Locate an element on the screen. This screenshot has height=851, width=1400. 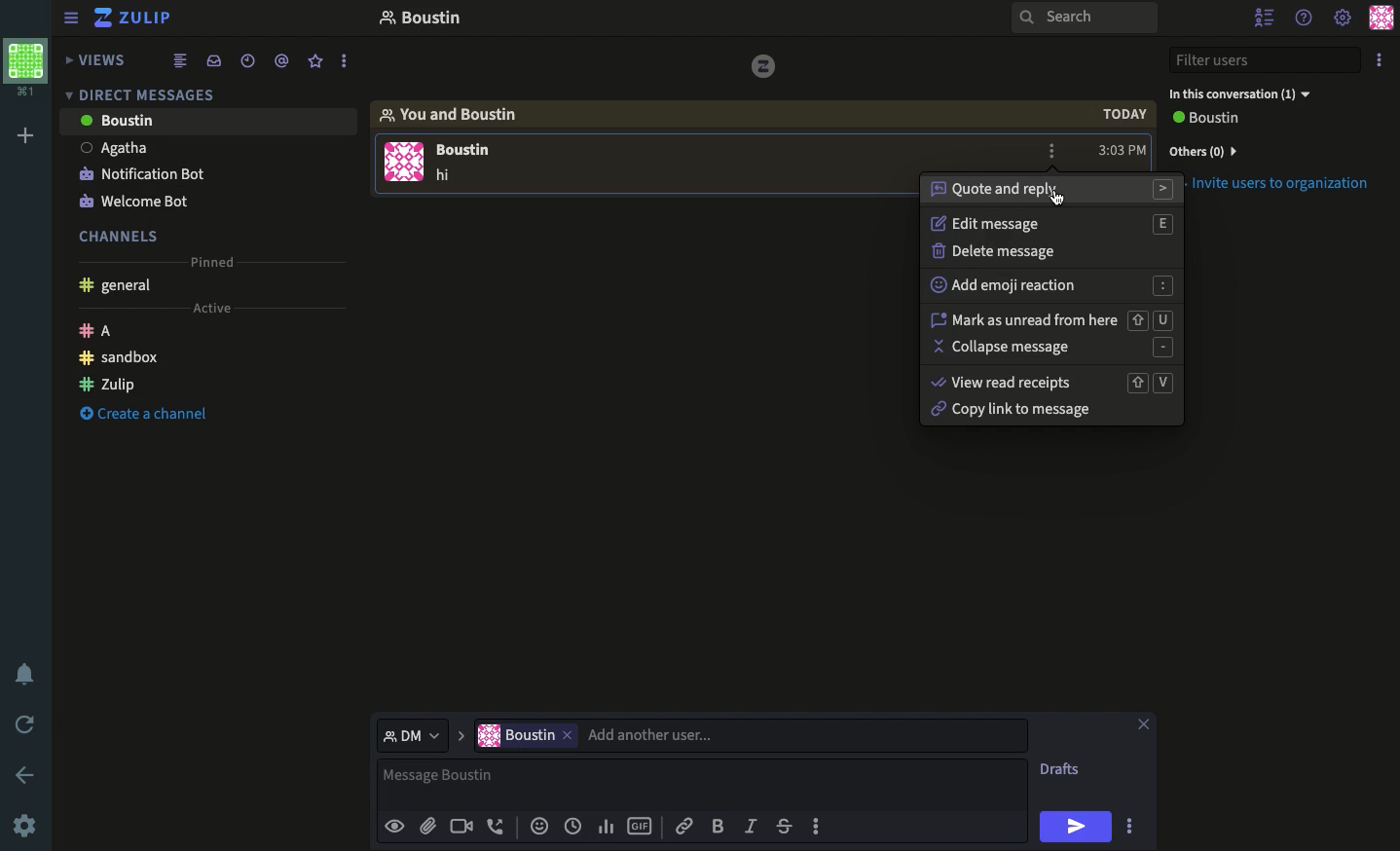
Link is located at coordinates (683, 826).